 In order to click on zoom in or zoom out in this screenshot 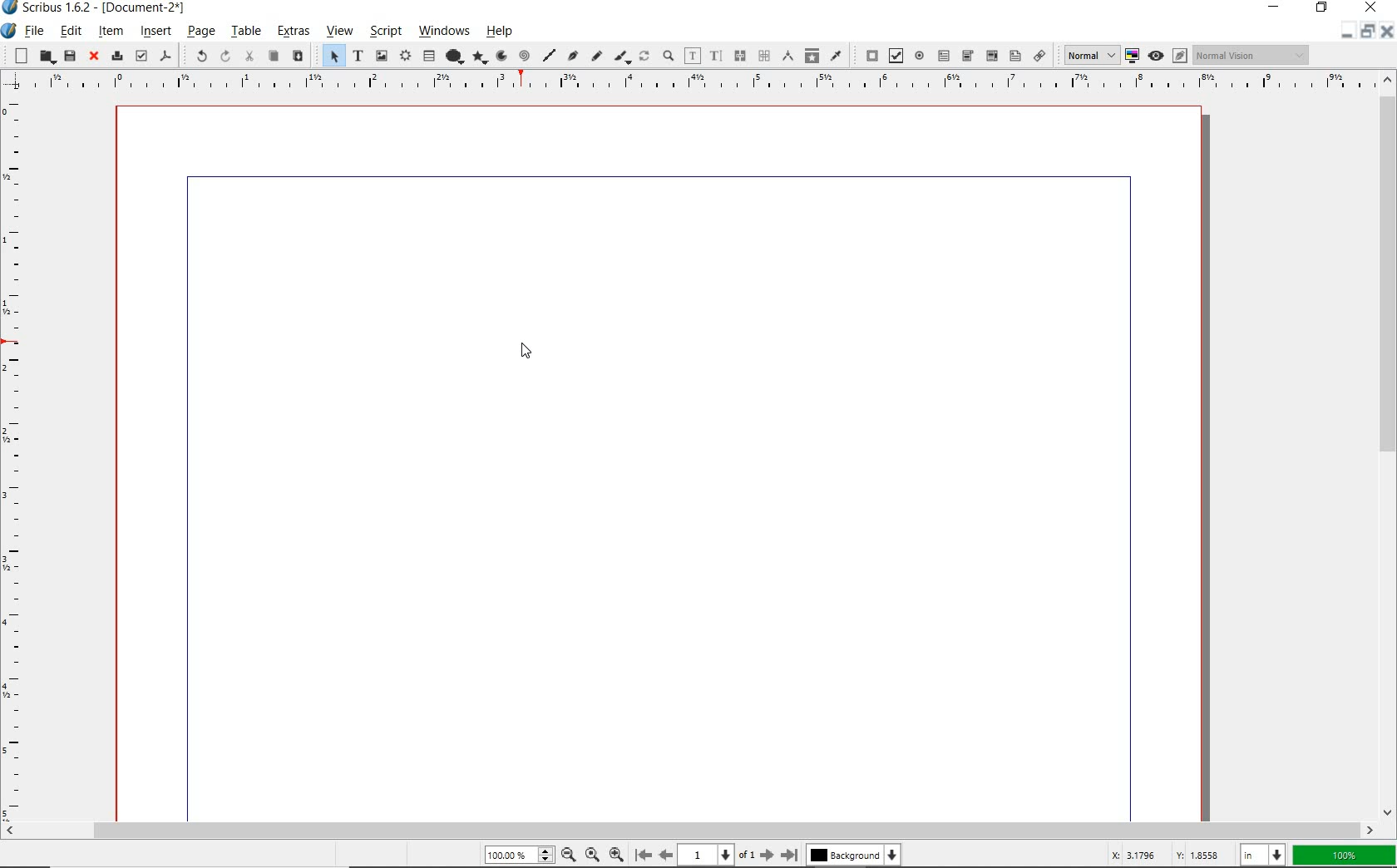, I will do `click(668, 55)`.